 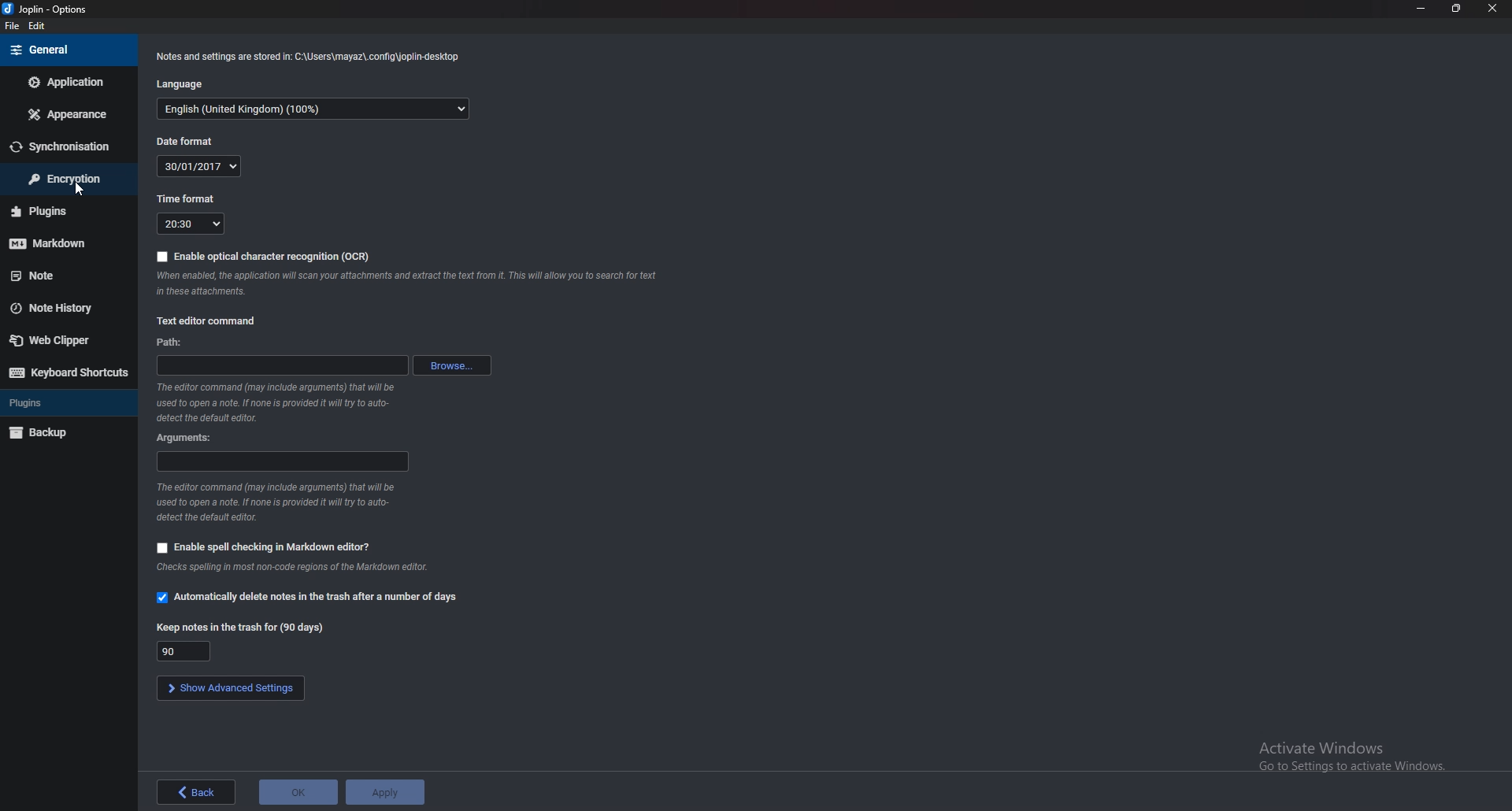 I want to click on Activate Windows, so click(x=1350, y=759).